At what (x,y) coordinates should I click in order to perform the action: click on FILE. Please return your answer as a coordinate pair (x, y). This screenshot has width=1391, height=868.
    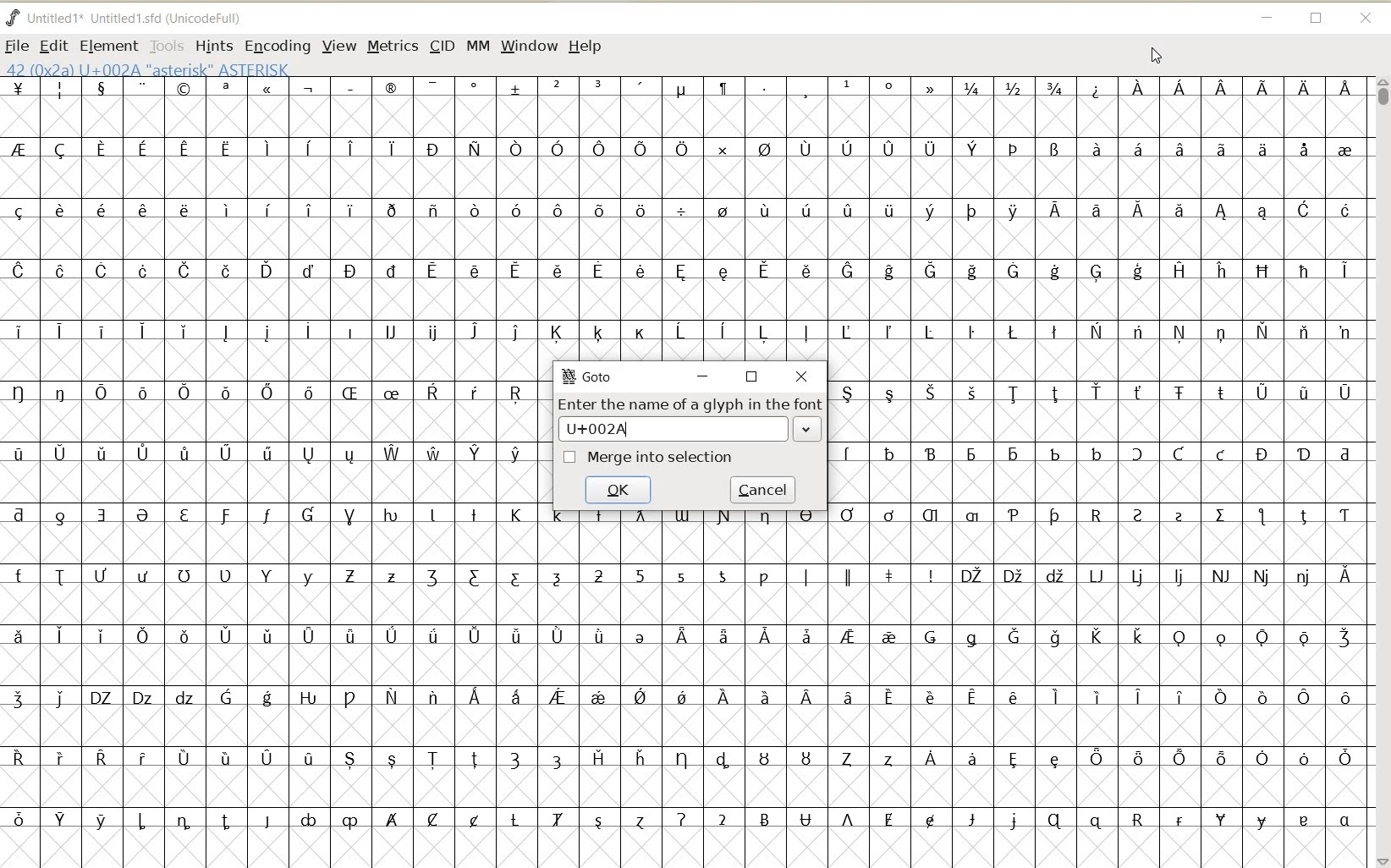
    Looking at the image, I should click on (17, 45).